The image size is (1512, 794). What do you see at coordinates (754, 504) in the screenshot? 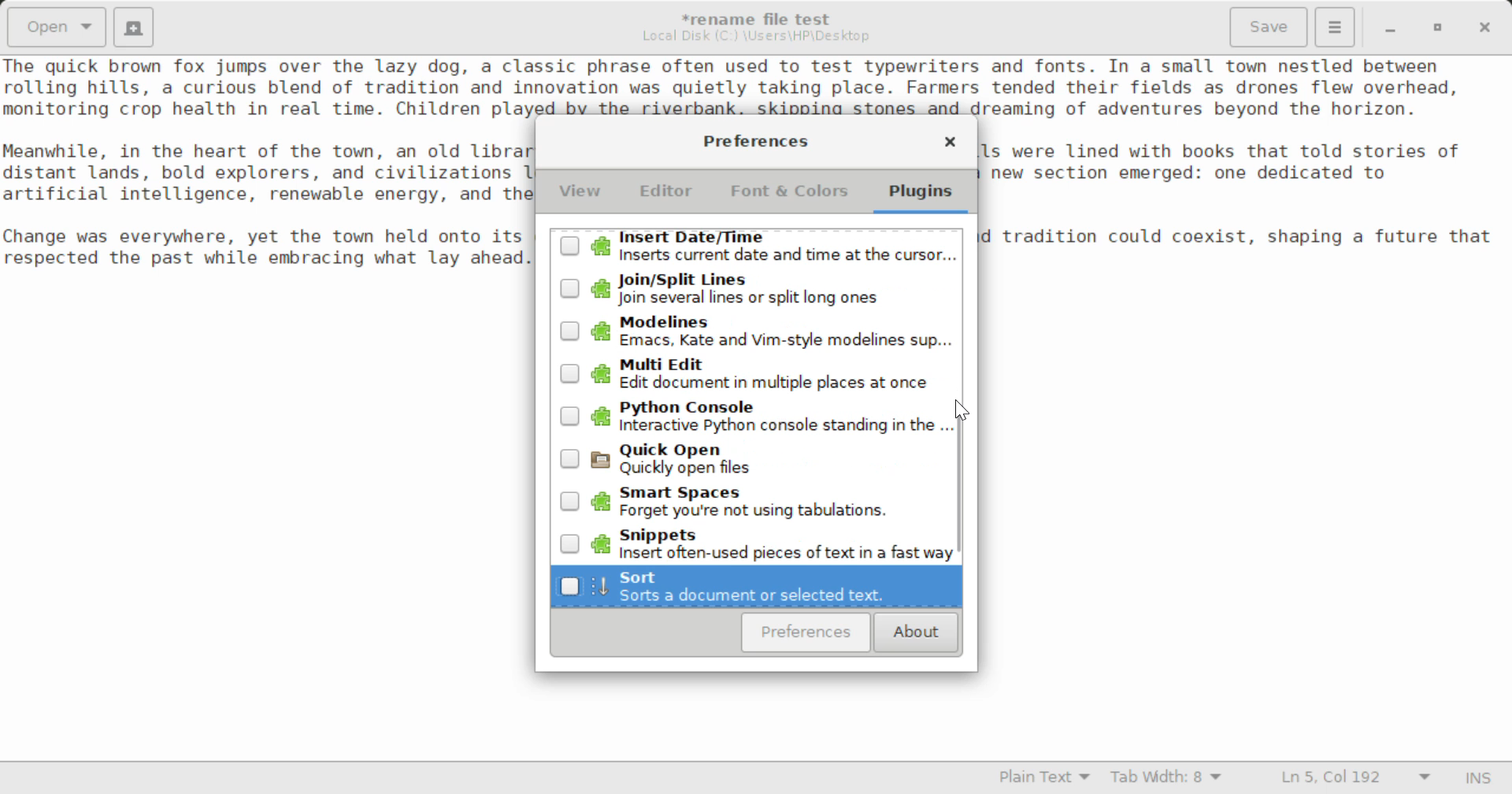
I see `Unselected Smart Spaces` at bounding box center [754, 504].